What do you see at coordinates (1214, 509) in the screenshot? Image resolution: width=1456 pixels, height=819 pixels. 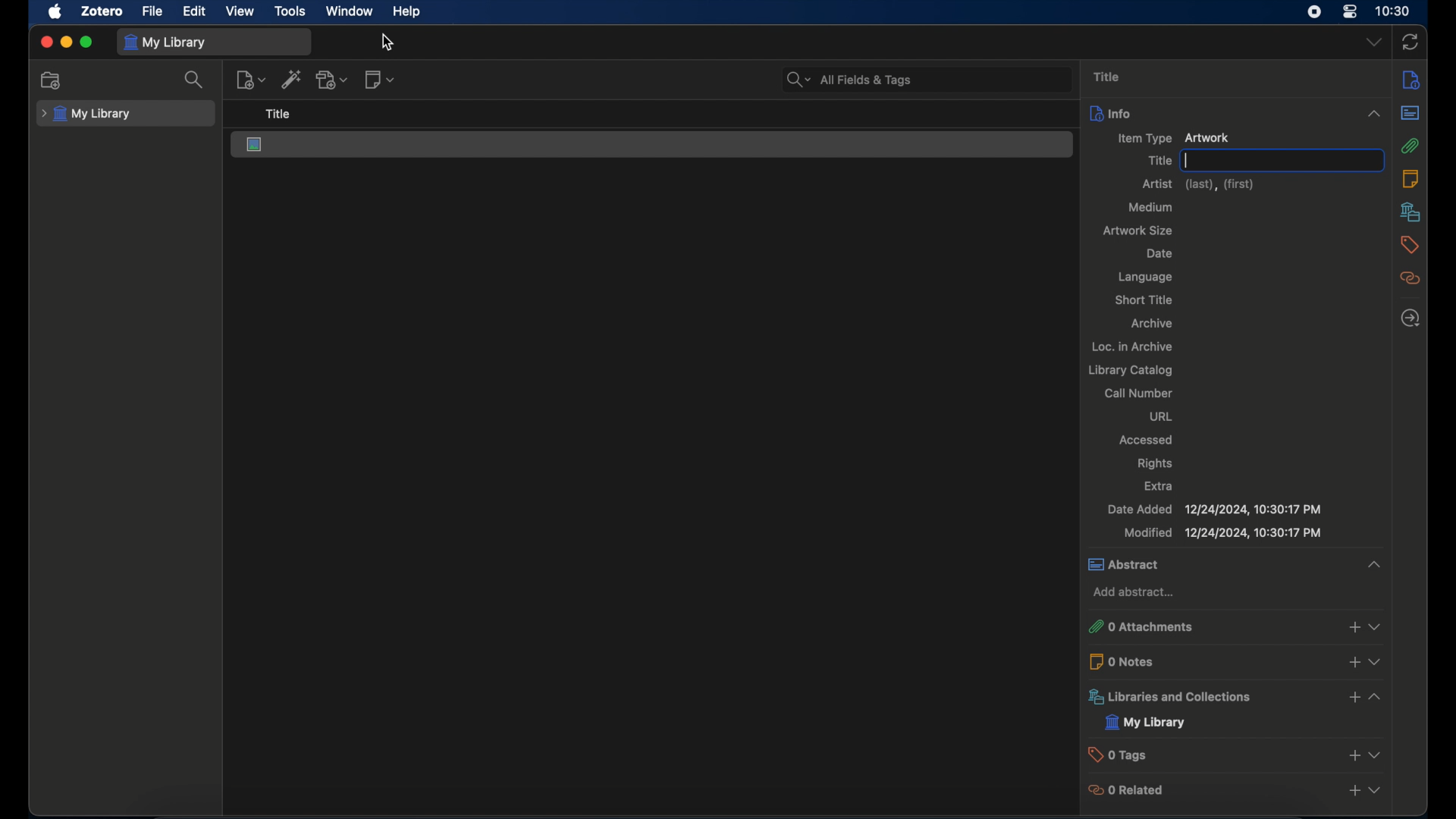 I see `date added` at bounding box center [1214, 509].